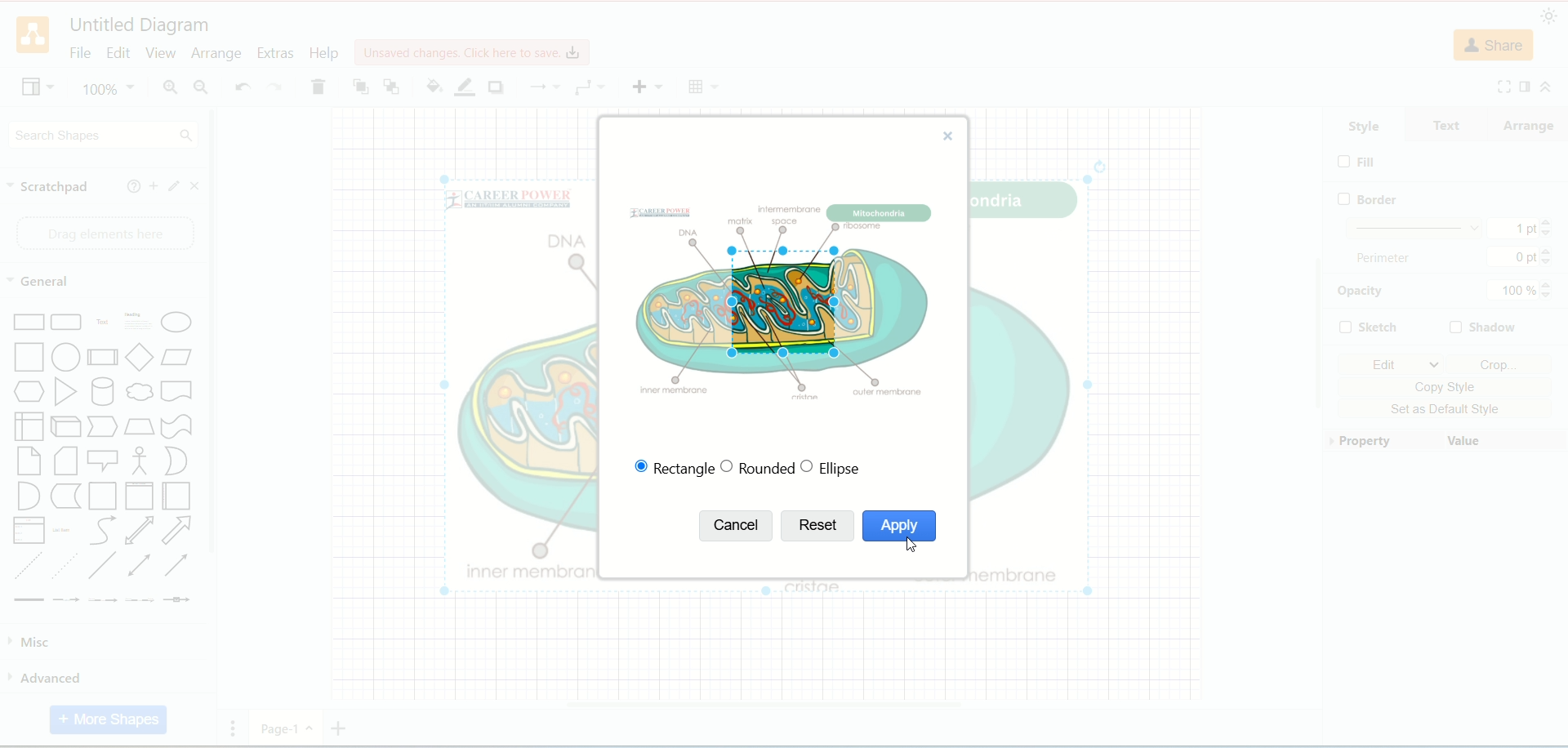 The image size is (1568, 748). Describe the element at coordinates (198, 89) in the screenshot. I see `zoom out` at that location.